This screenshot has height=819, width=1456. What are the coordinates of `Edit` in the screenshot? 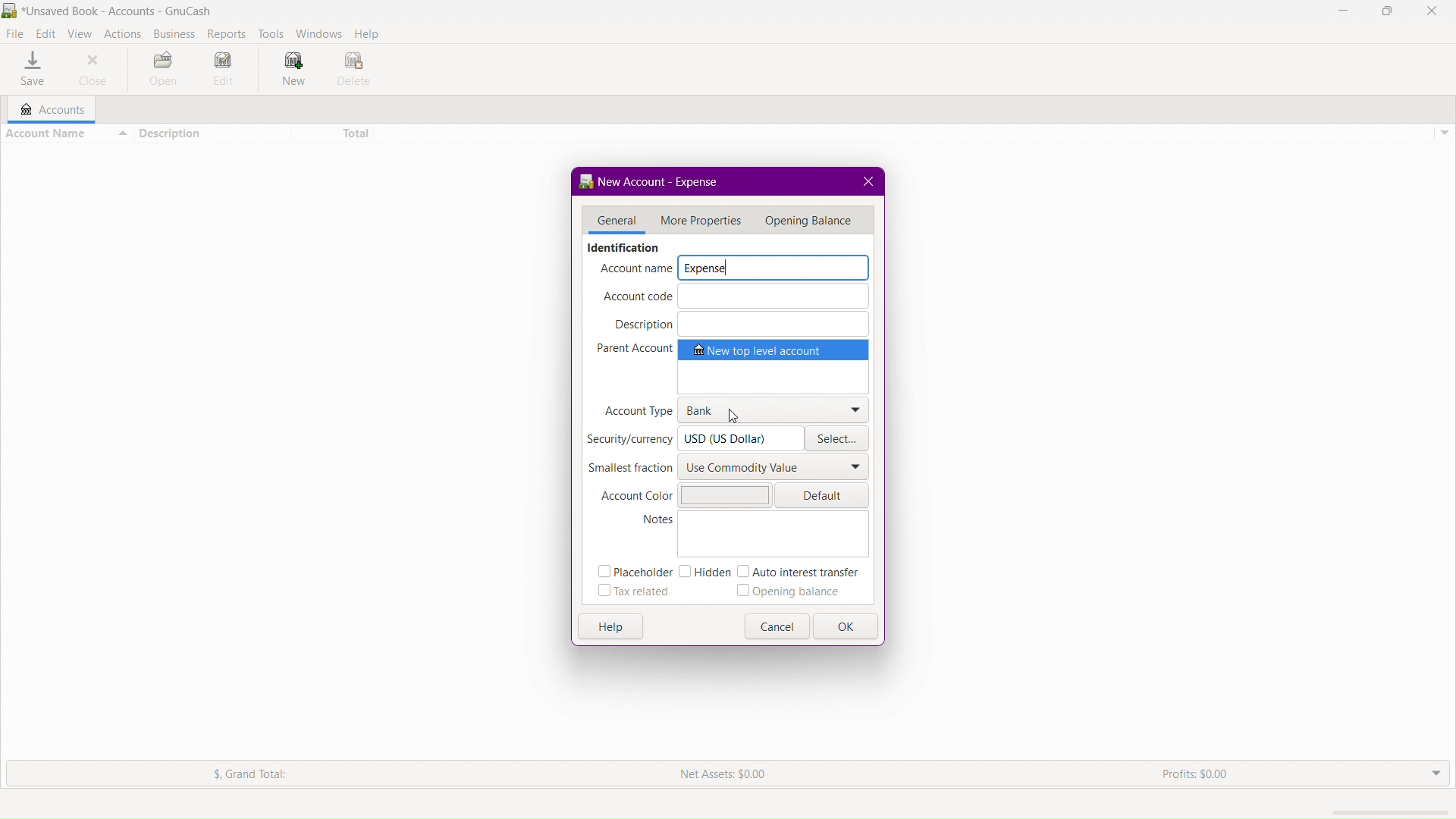 It's located at (225, 71).